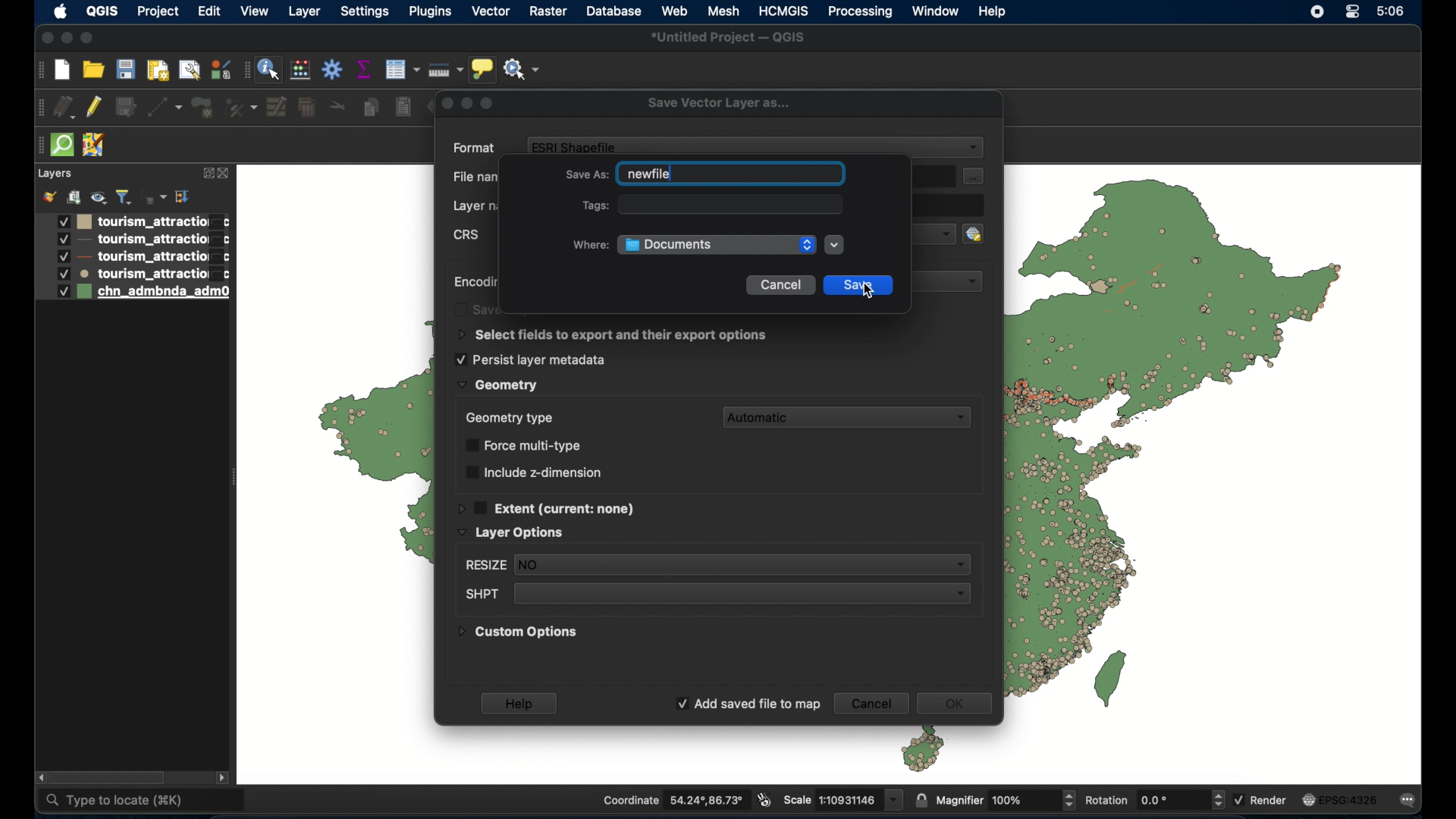 This screenshot has width=1456, height=819. Describe the element at coordinates (859, 12) in the screenshot. I see `processing` at that location.